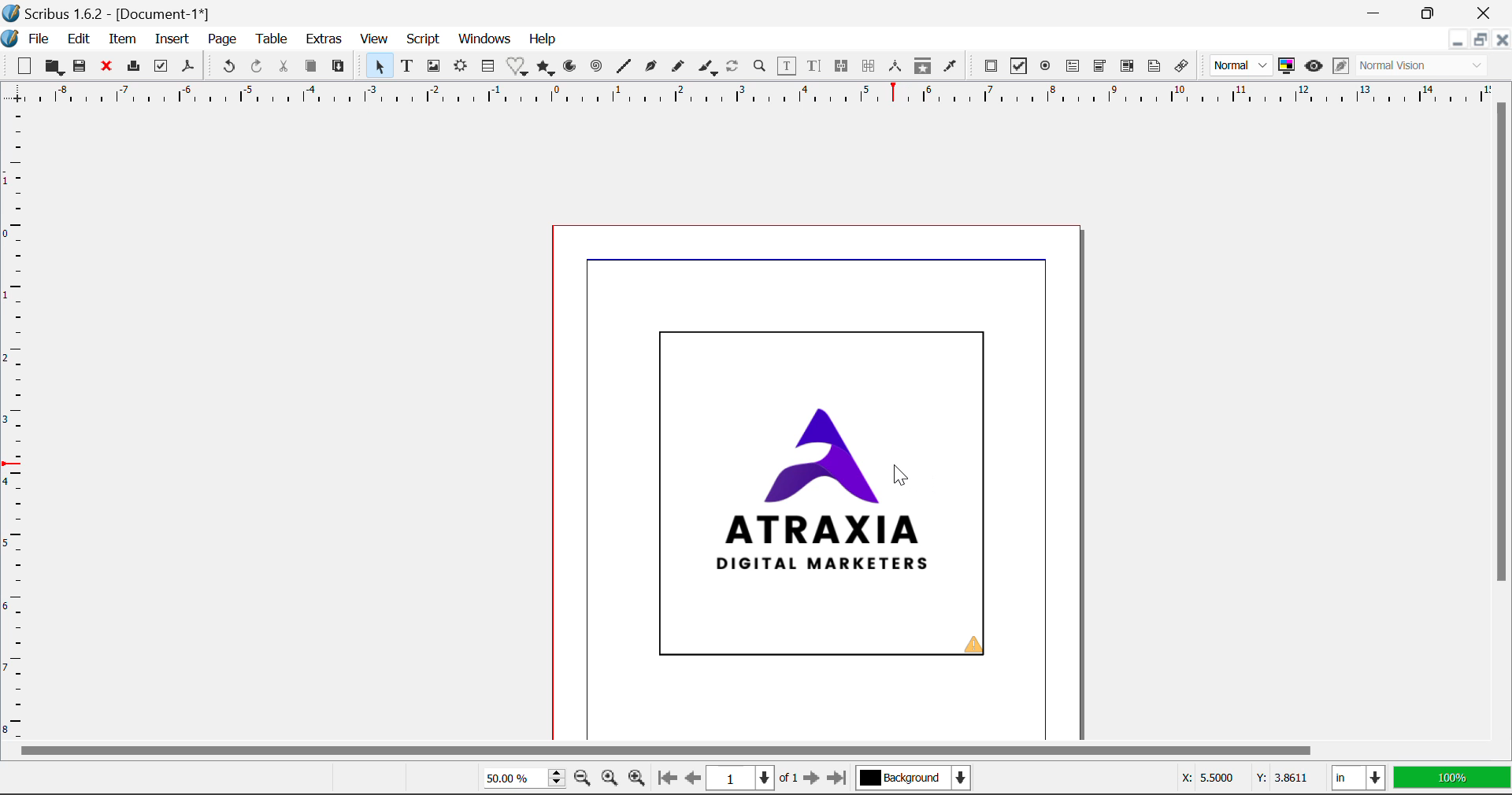 Image resolution: width=1512 pixels, height=795 pixels. I want to click on File, so click(39, 39).